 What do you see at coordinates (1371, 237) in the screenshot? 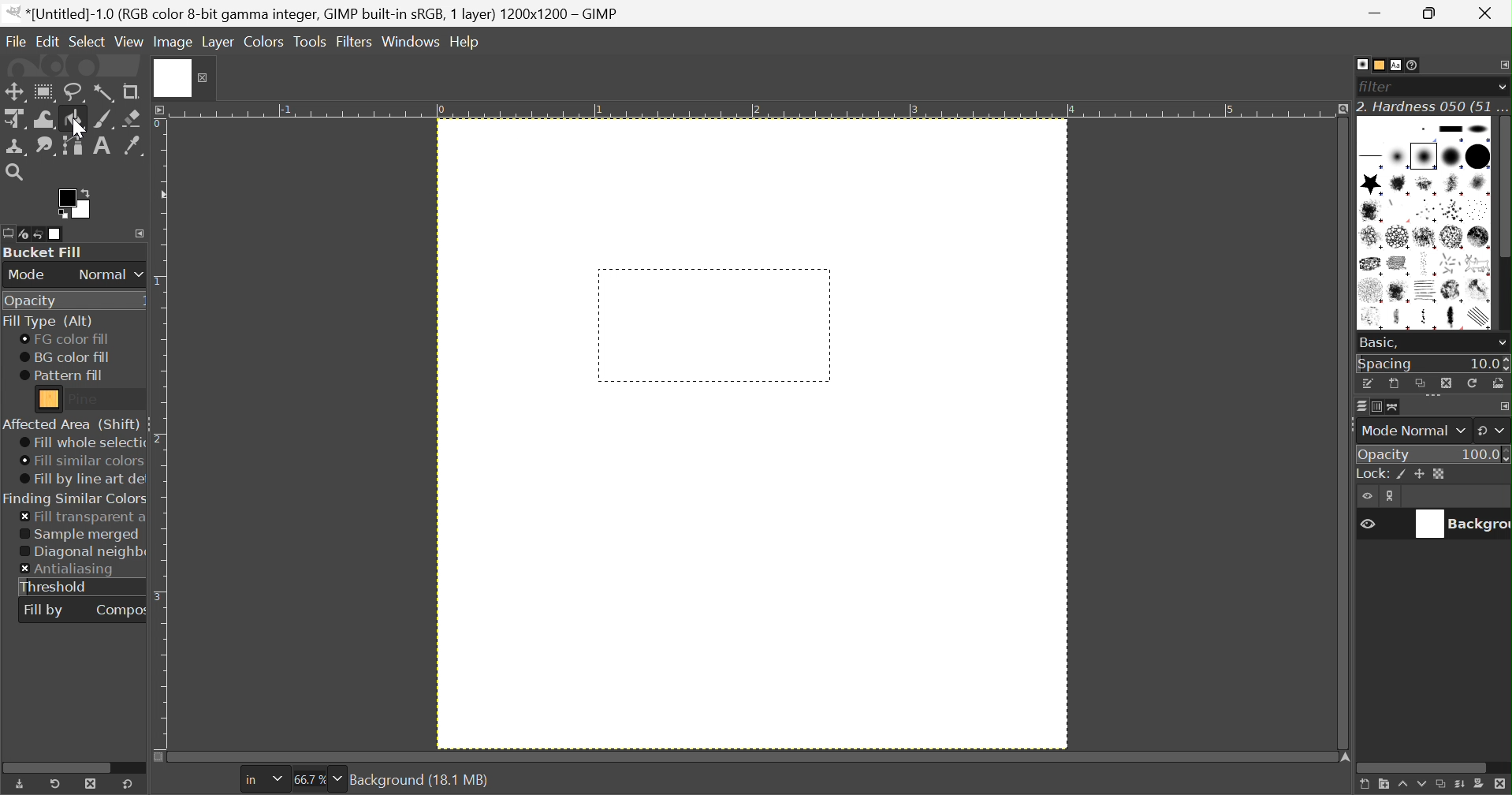
I see `Cell 01` at bounding box center [1371, 237].